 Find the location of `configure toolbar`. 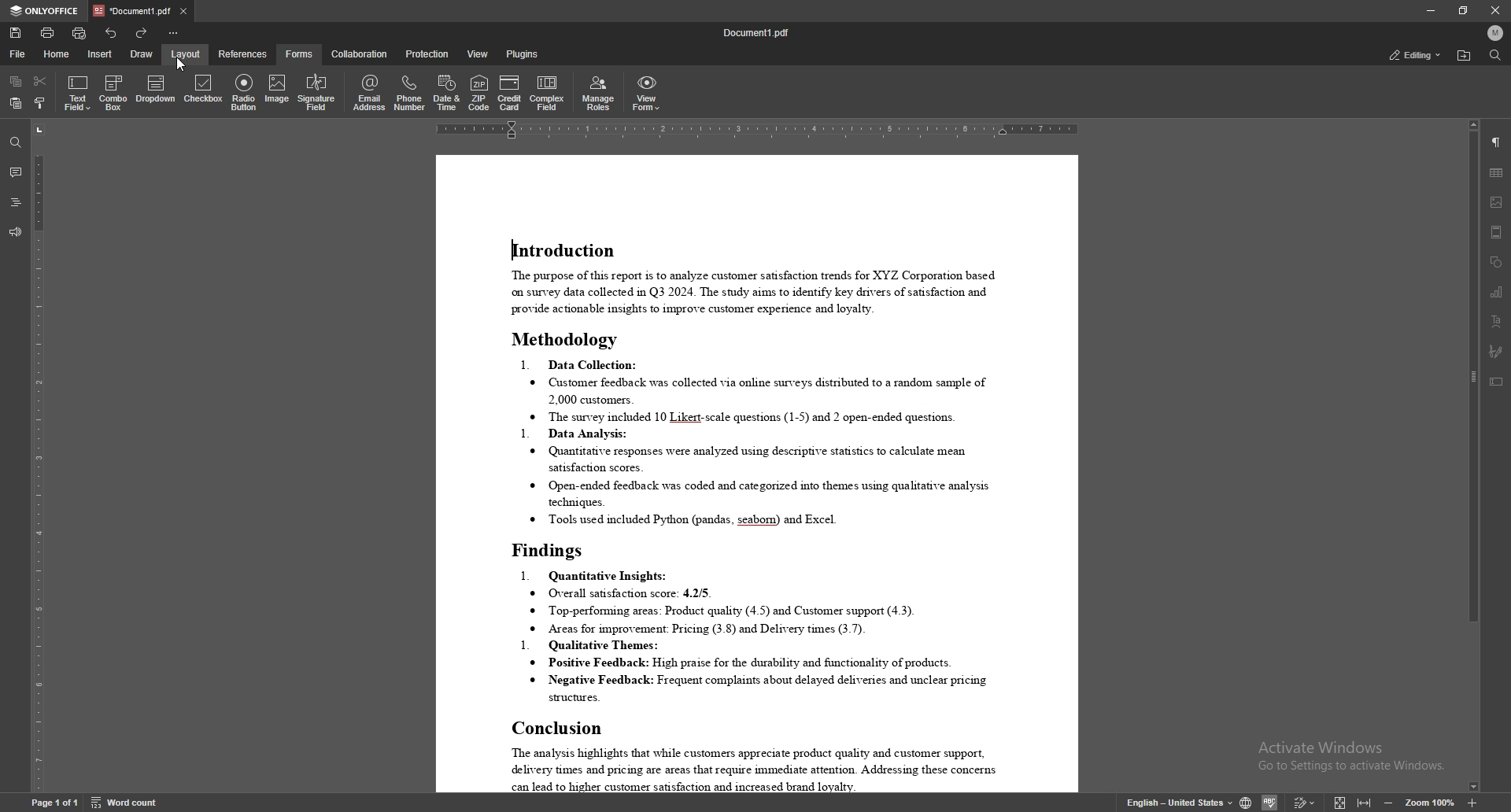

configure toolbar is located at coordinates (176, 32).